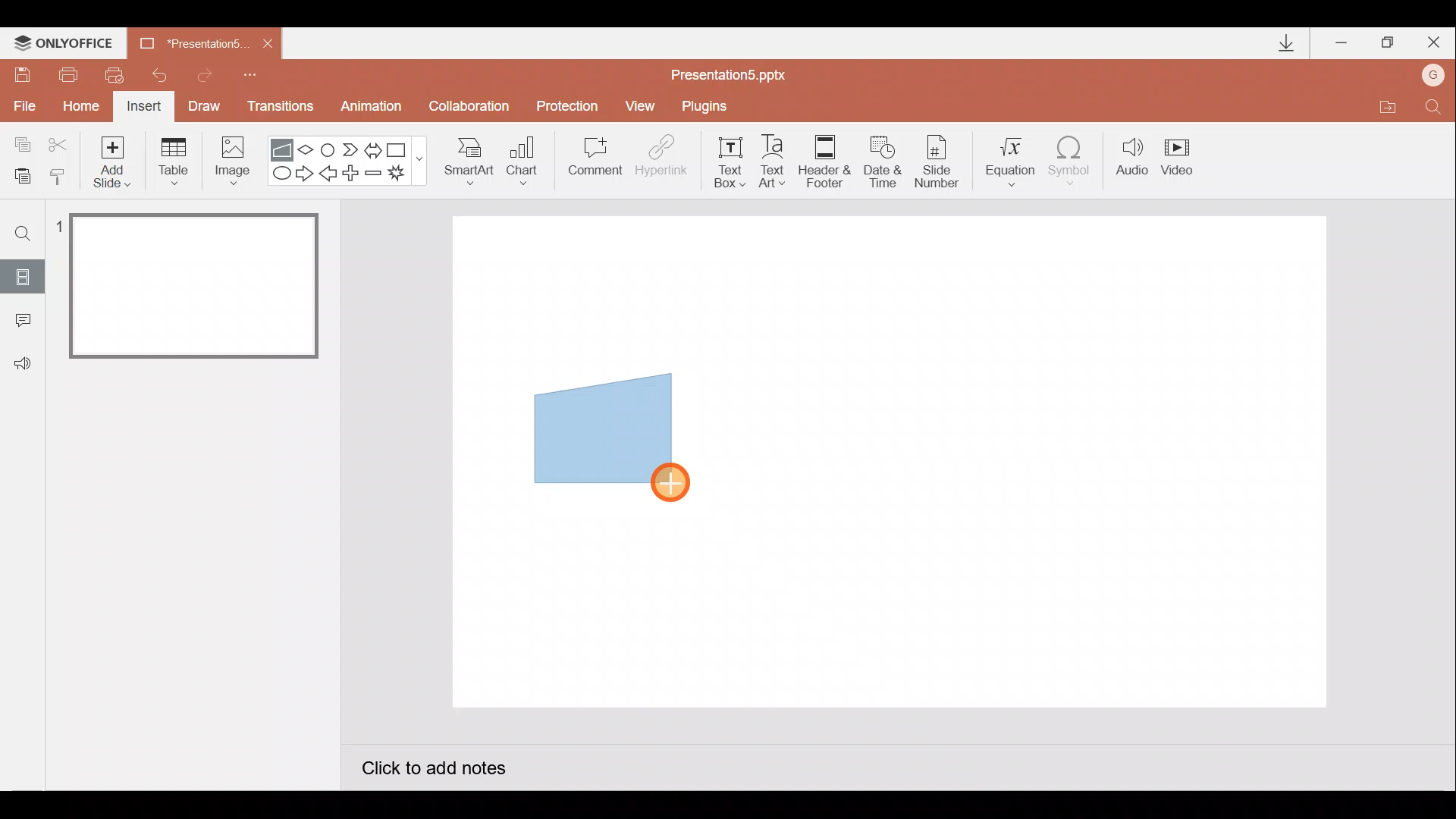 This screenshot has height=819, width=1456. I want to click on File, so click(21, 102).